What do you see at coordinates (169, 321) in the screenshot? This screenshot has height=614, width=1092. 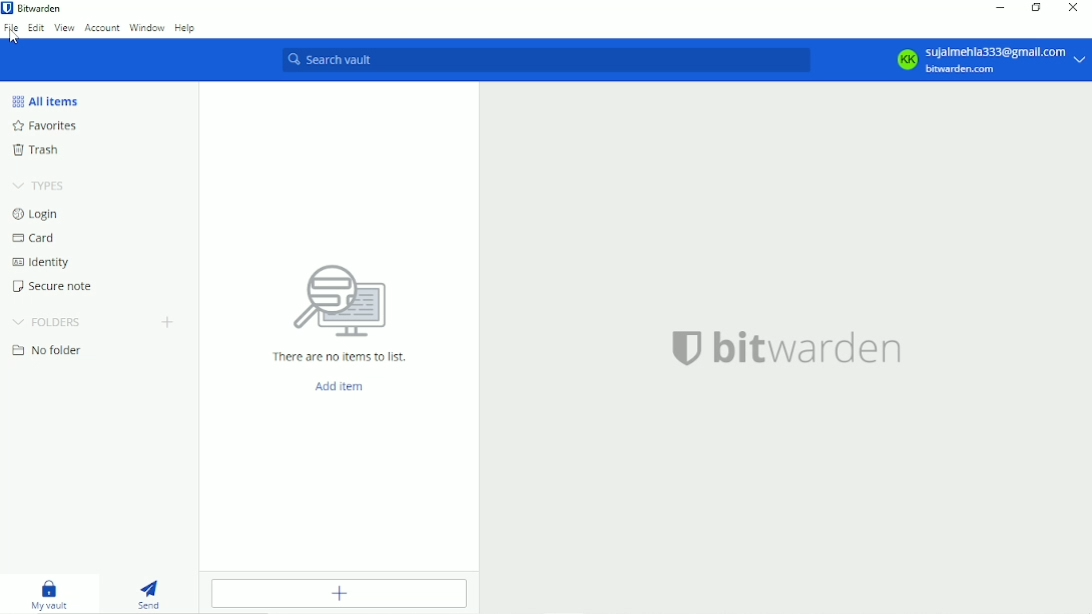 I see `Create folder` at bounding box center [169, 321].